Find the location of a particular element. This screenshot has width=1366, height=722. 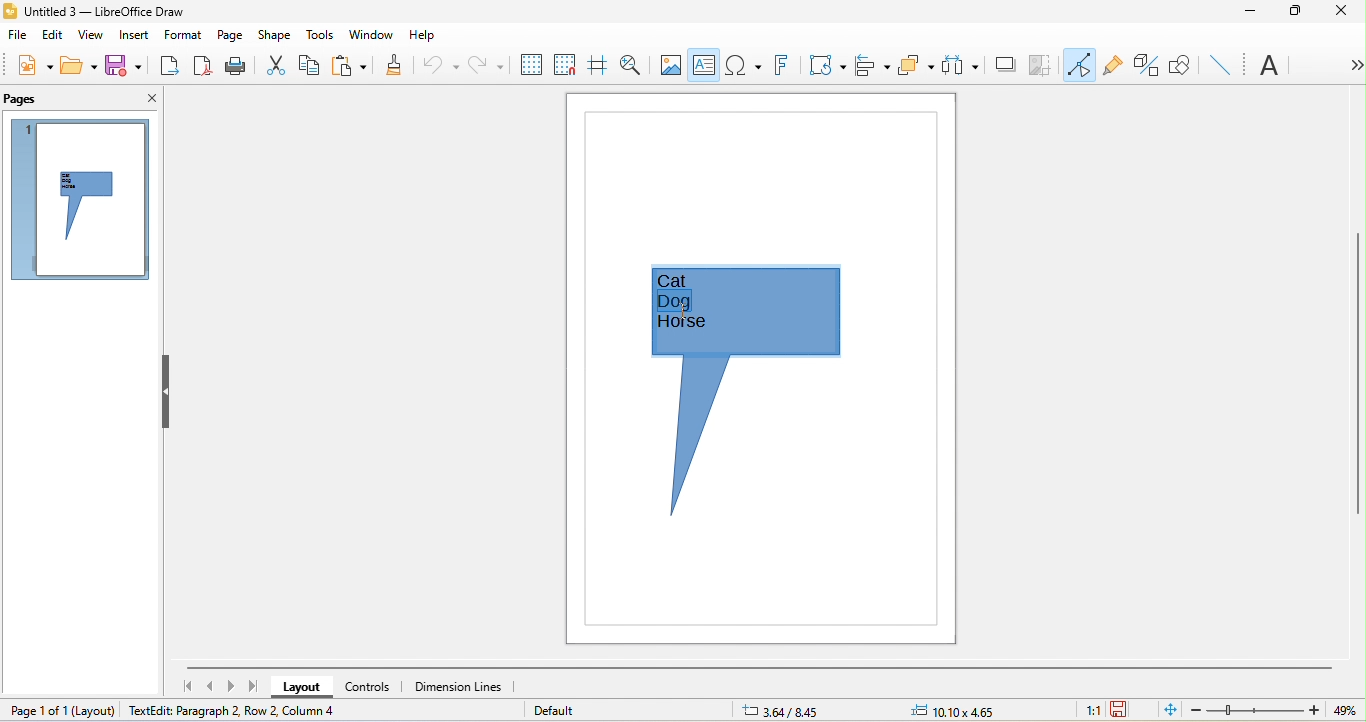

layout is located at coordinates (304, 688).